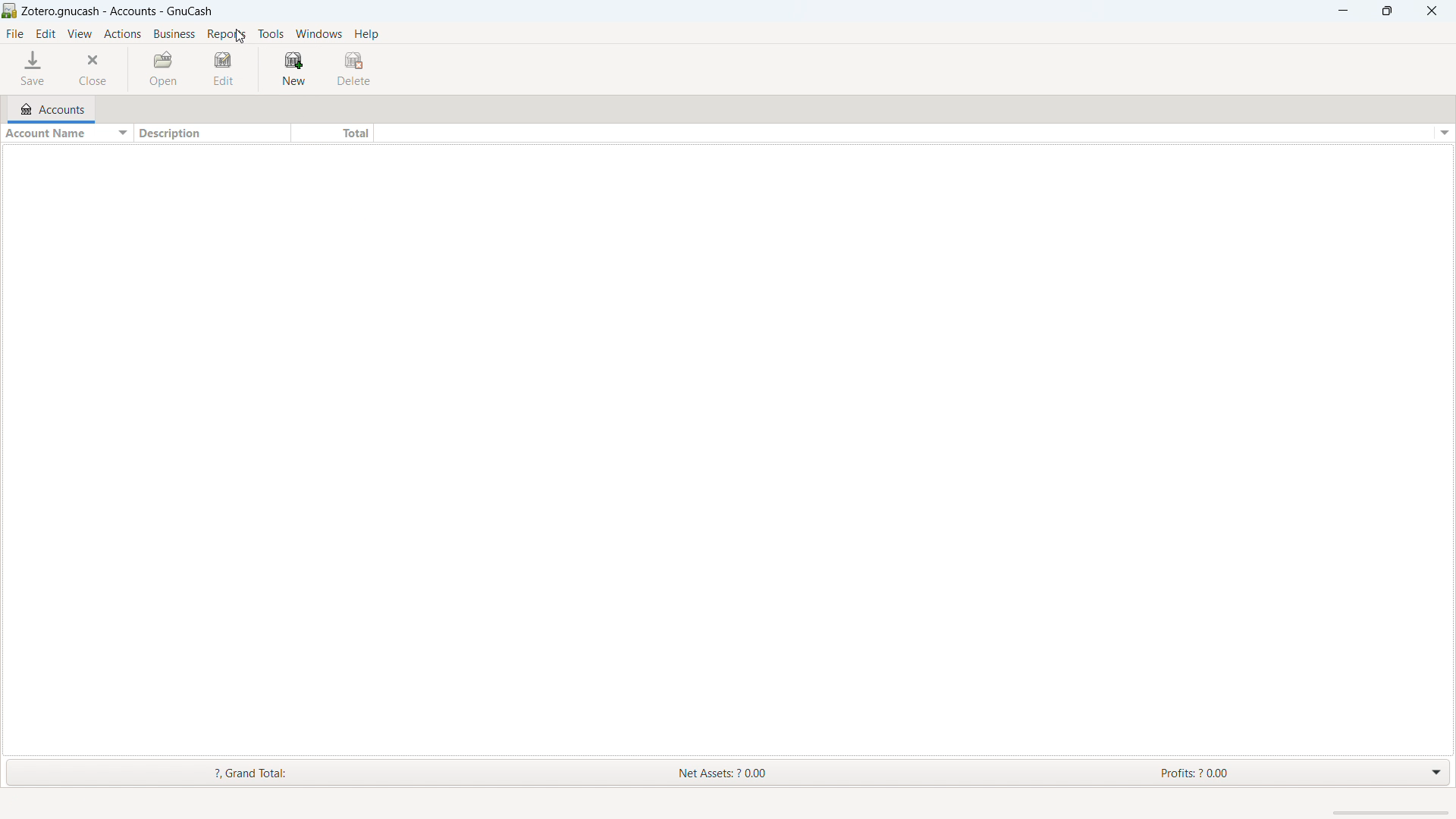 Image resolution: width=1456 pixels, height=819 pixels. What do you see at coordinates (50, 108) in the screenshot?
I see `accounts tab` at bounding box center [50, 108].